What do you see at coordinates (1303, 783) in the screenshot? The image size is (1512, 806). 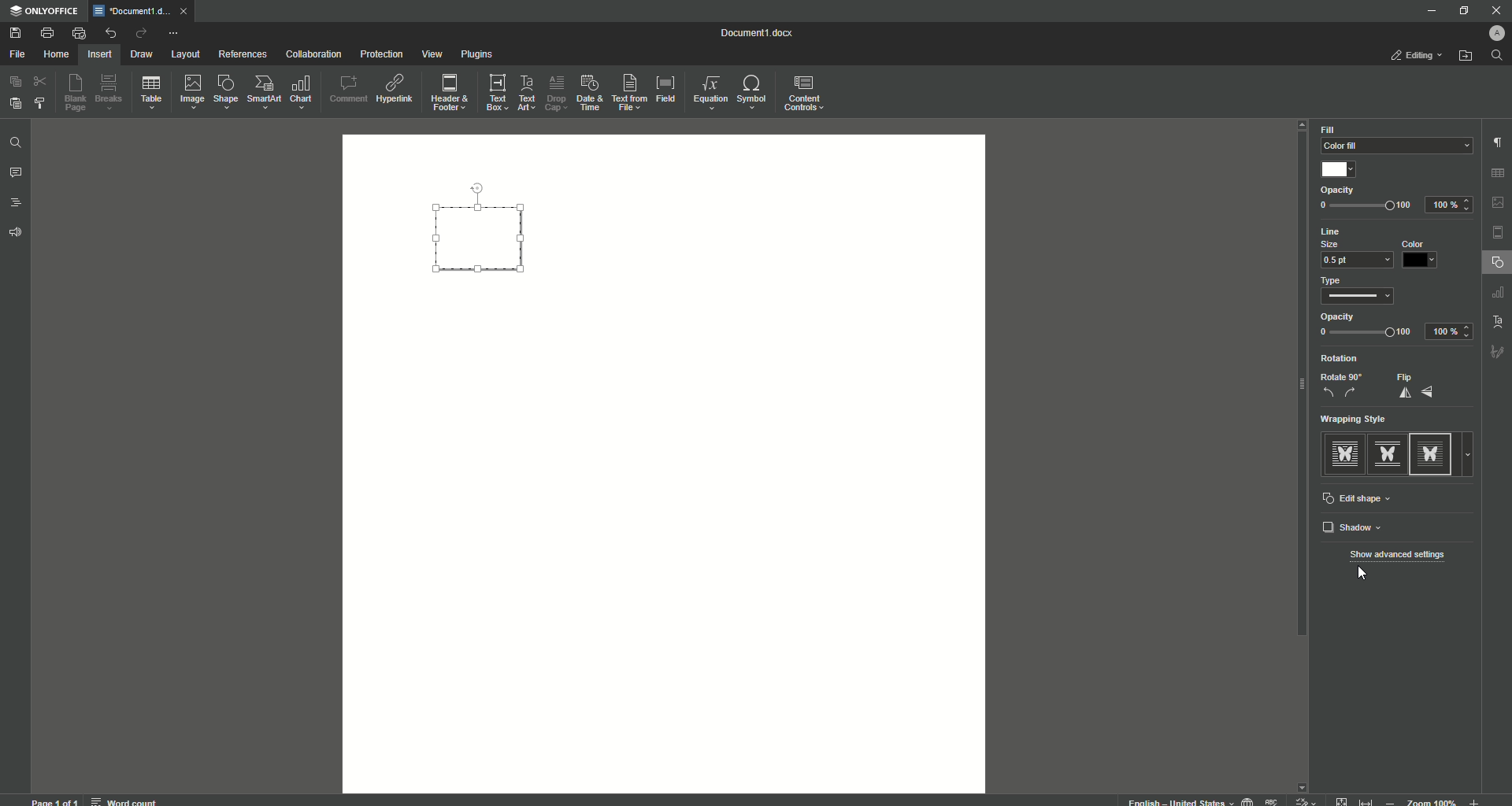 I see `scroll down` at bounding box center [1303, 783].